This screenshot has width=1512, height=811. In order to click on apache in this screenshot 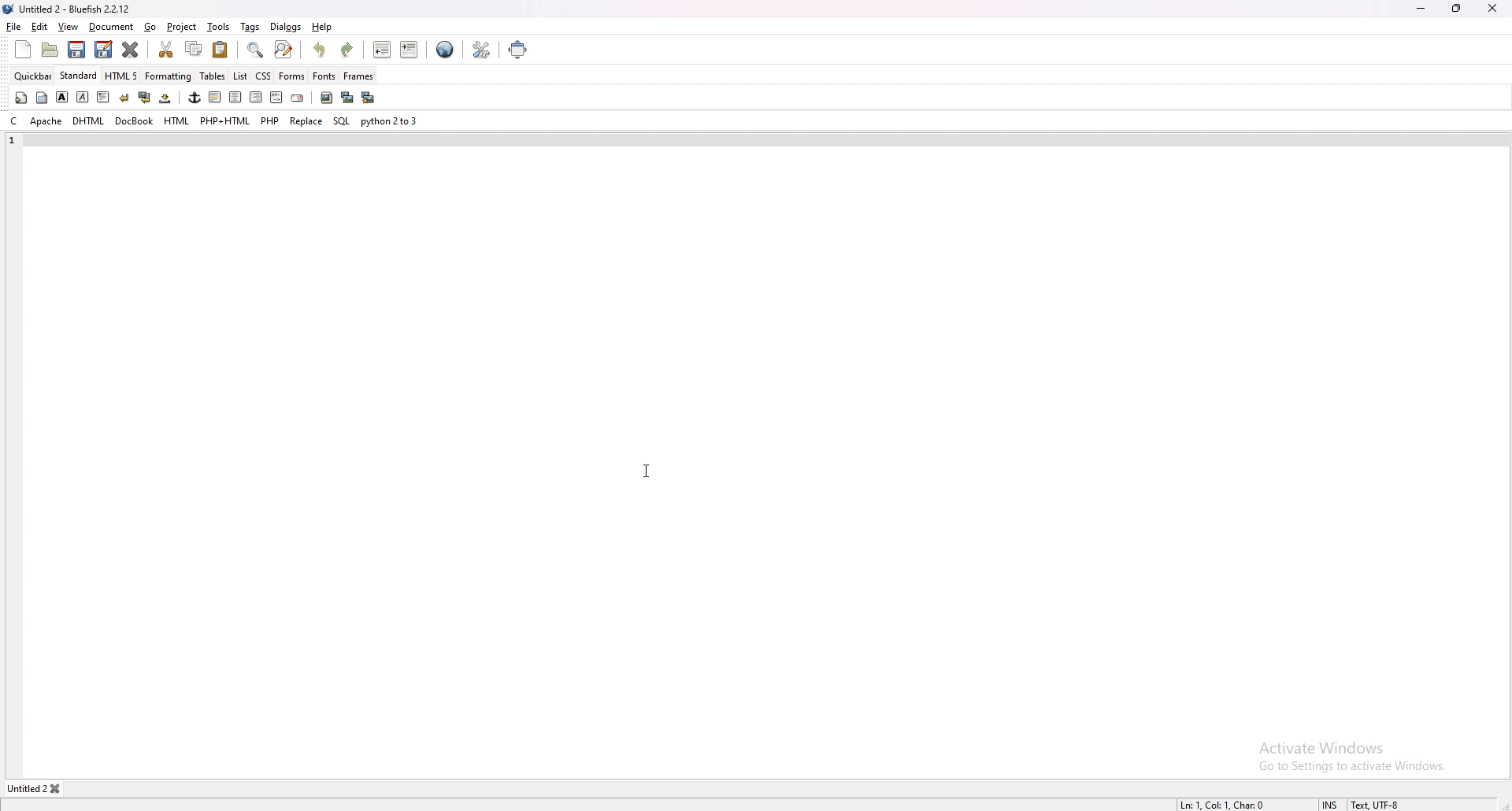, I will do `click(46, 121)`.